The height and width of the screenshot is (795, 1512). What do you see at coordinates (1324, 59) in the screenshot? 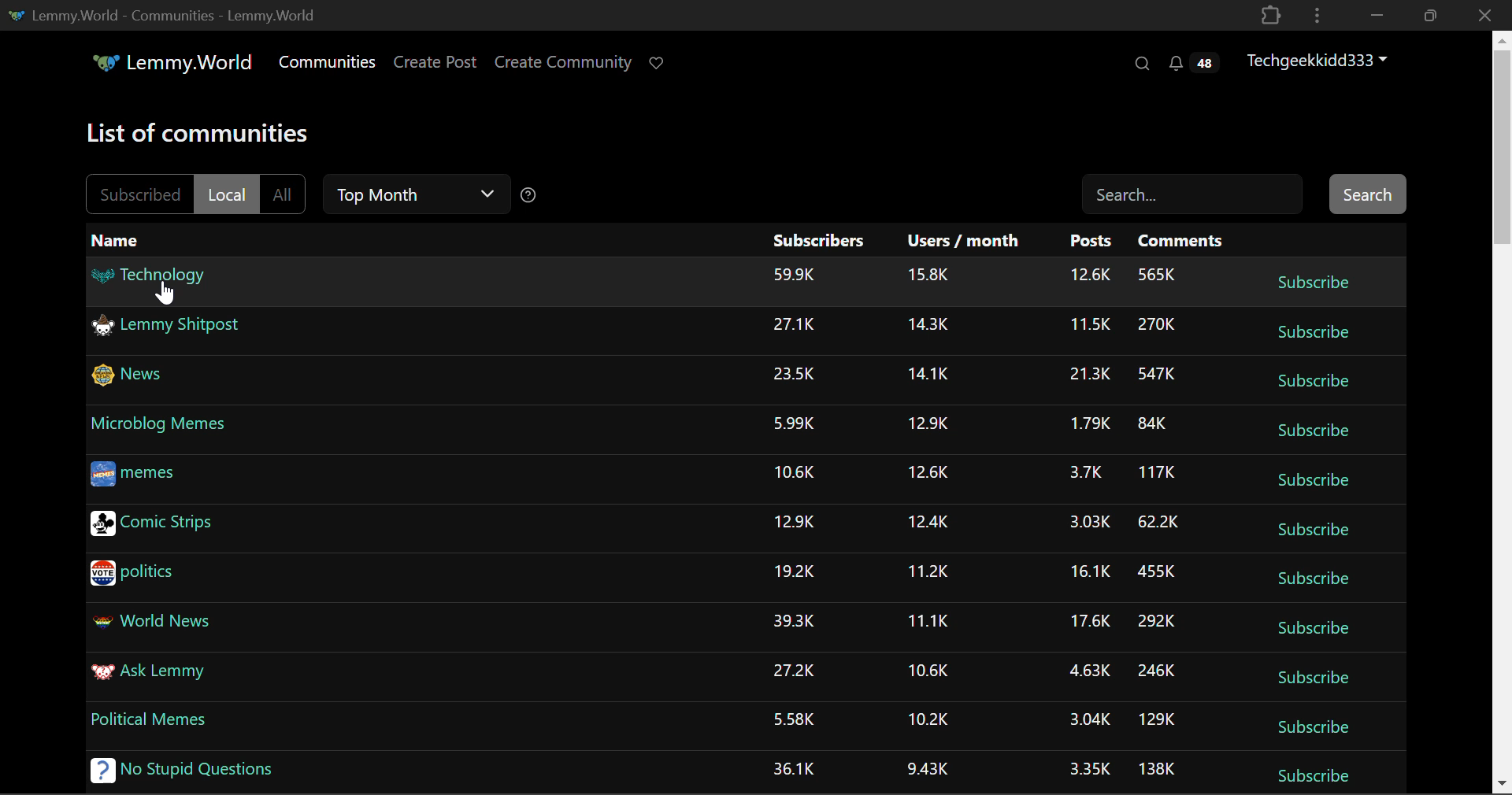
I see `Techgeekkidd333` at bounding box center [1324, 59].